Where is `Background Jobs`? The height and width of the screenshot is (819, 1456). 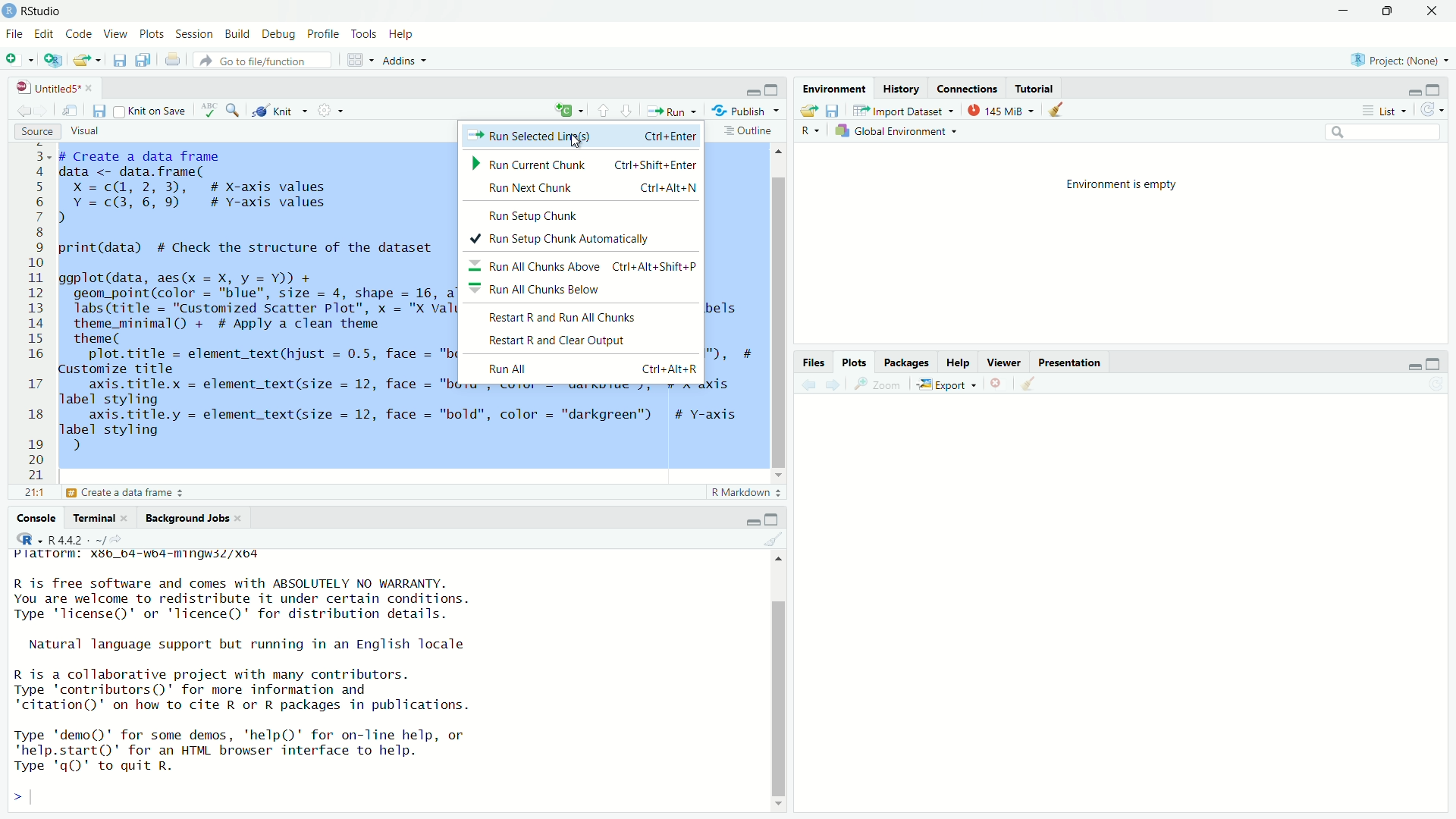 Background Jobs is located at coordinates (192, 519).